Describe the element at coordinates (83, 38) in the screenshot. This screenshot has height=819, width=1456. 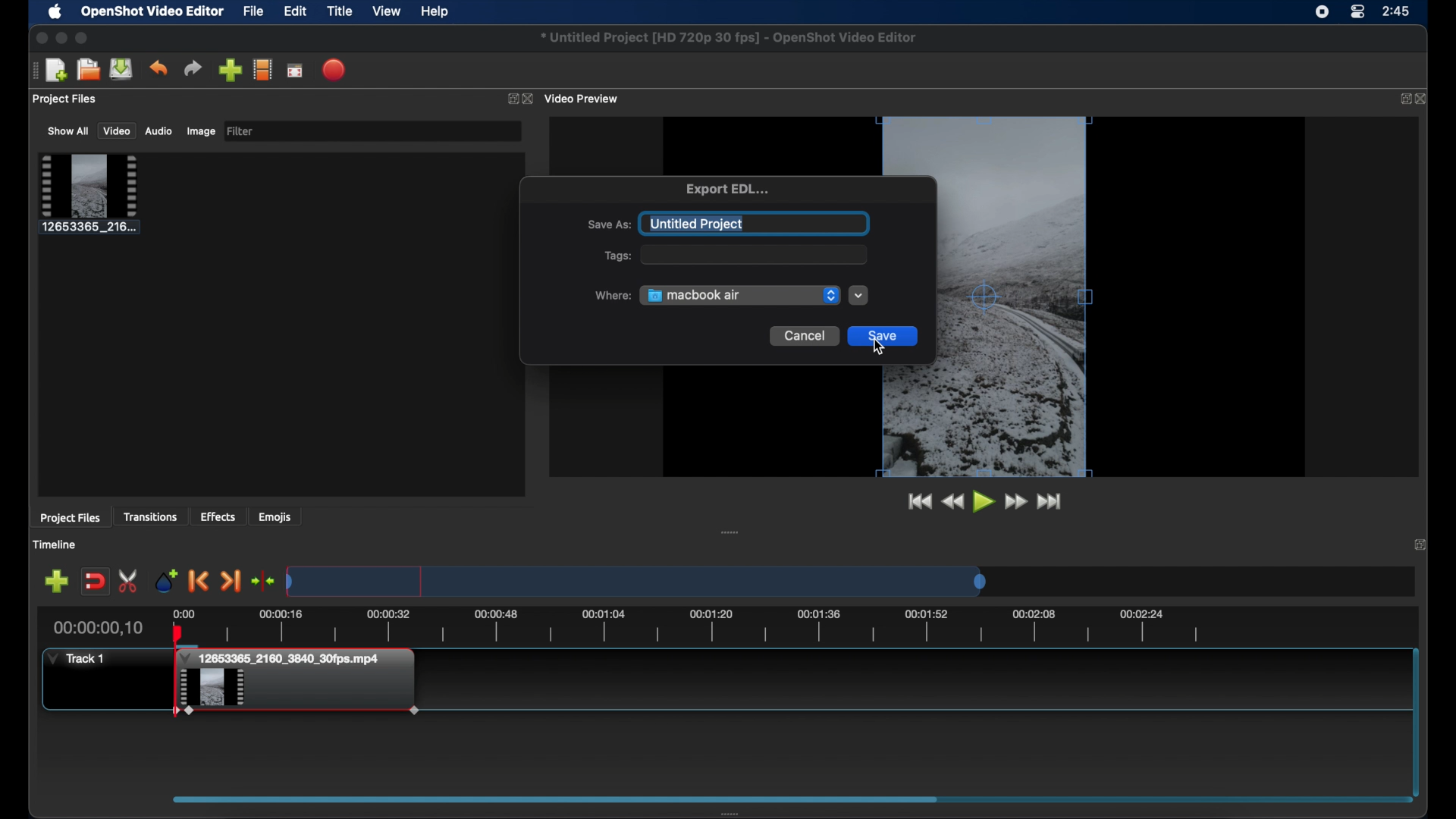
I see `maximize` at that location.